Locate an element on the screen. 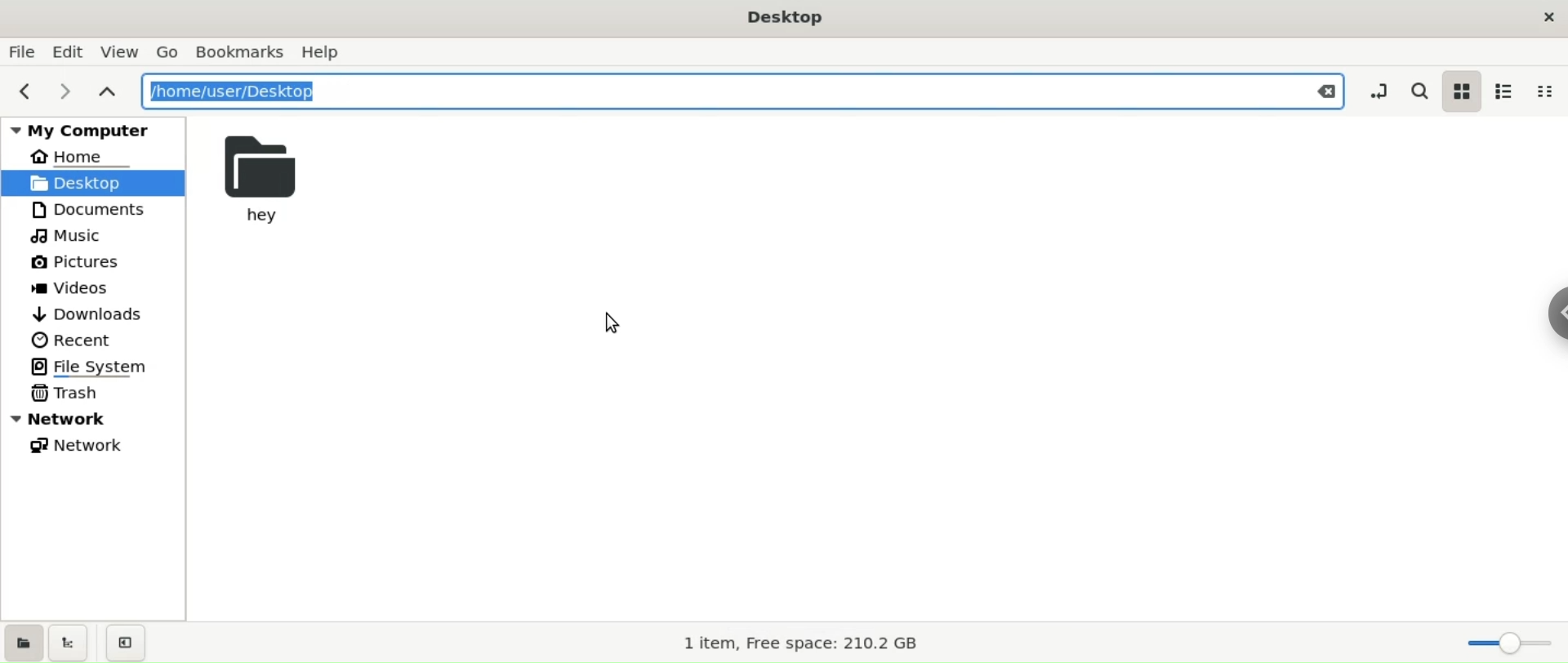 Image resolution: width=1568 pixels, height=663 pixels. view is located at coordinates (122, 52).